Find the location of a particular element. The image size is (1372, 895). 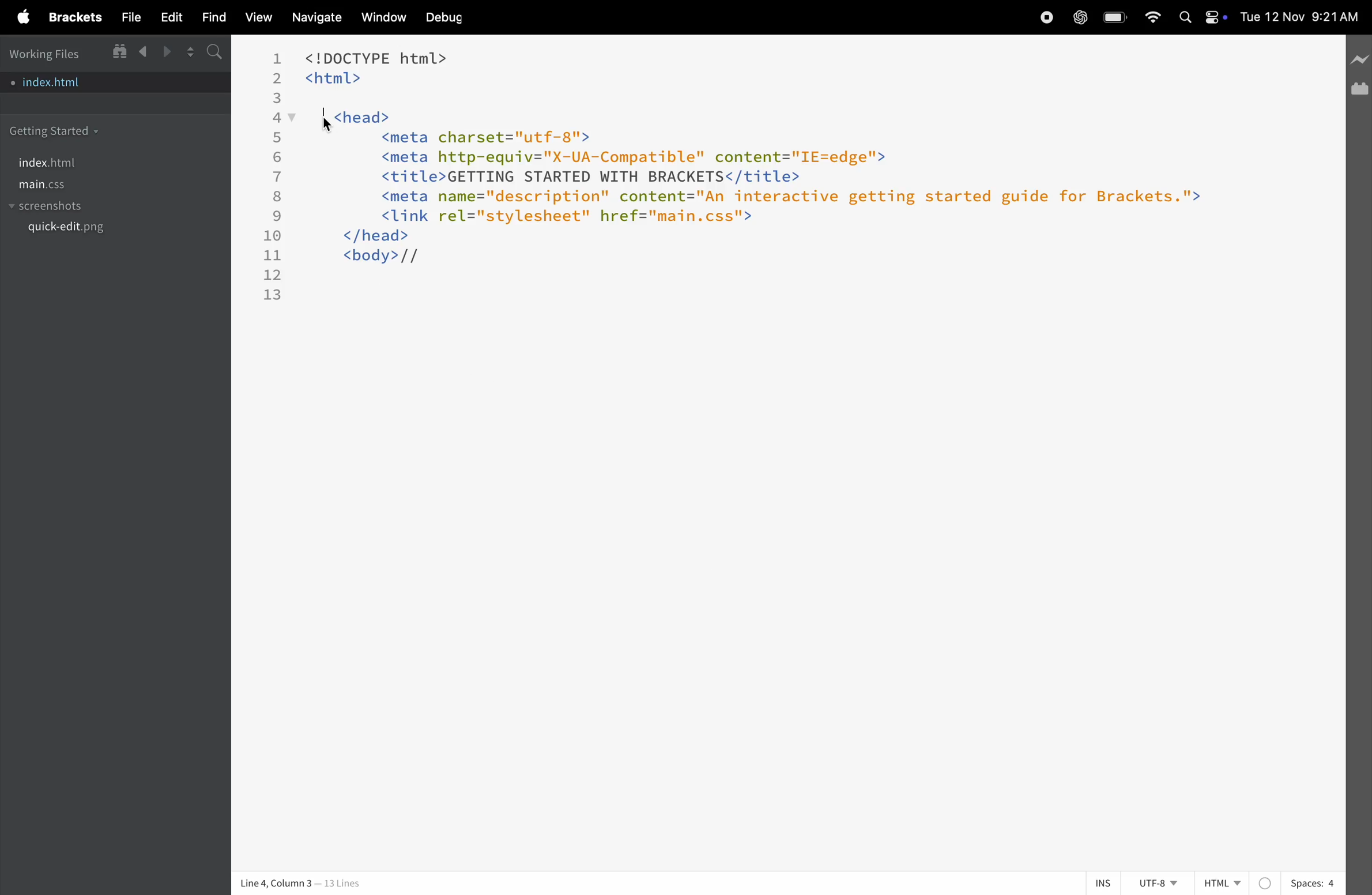

apple menu is located at coordinates (20, 17).